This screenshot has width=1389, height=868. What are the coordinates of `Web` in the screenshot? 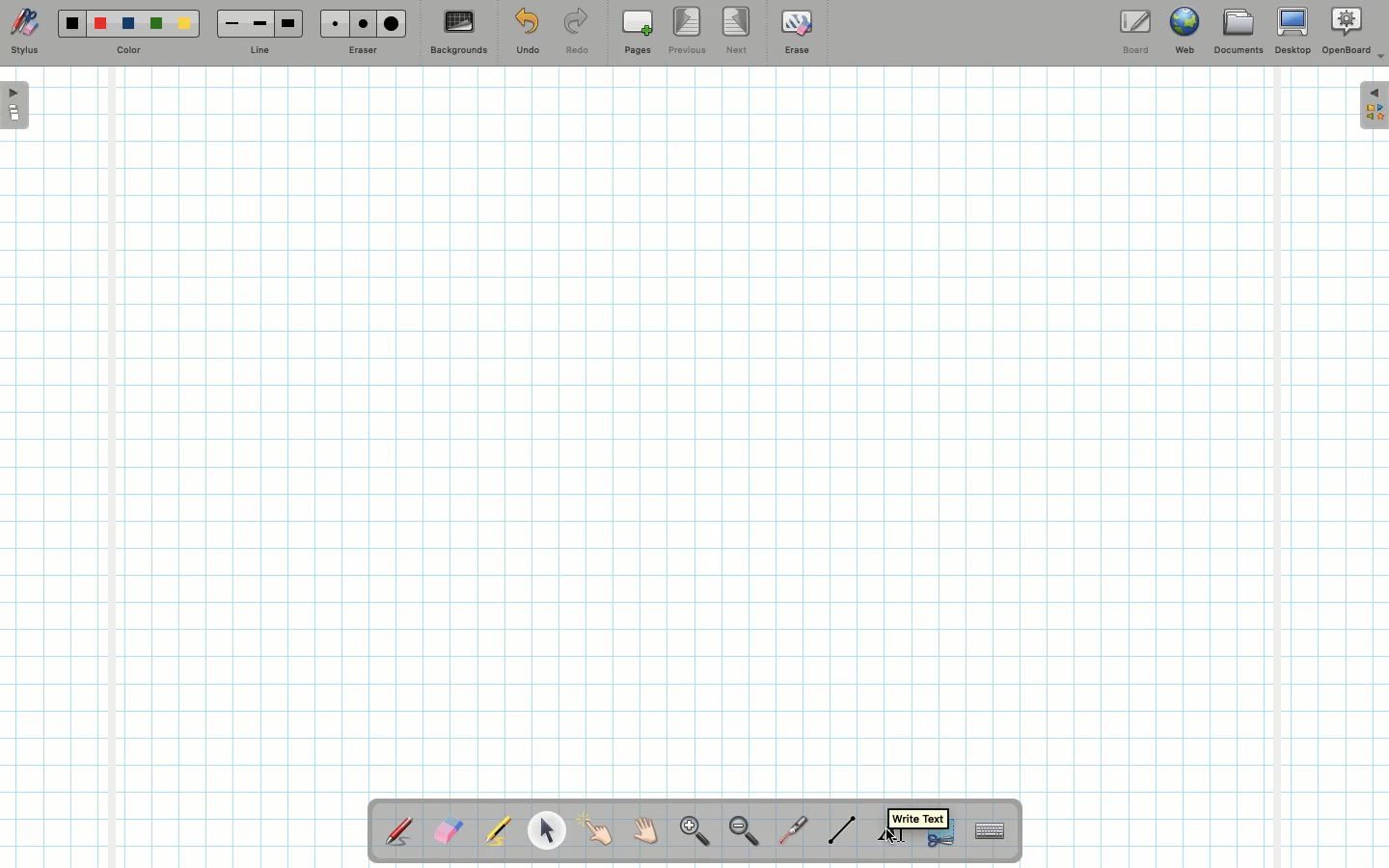 It's located at (1184, 35).